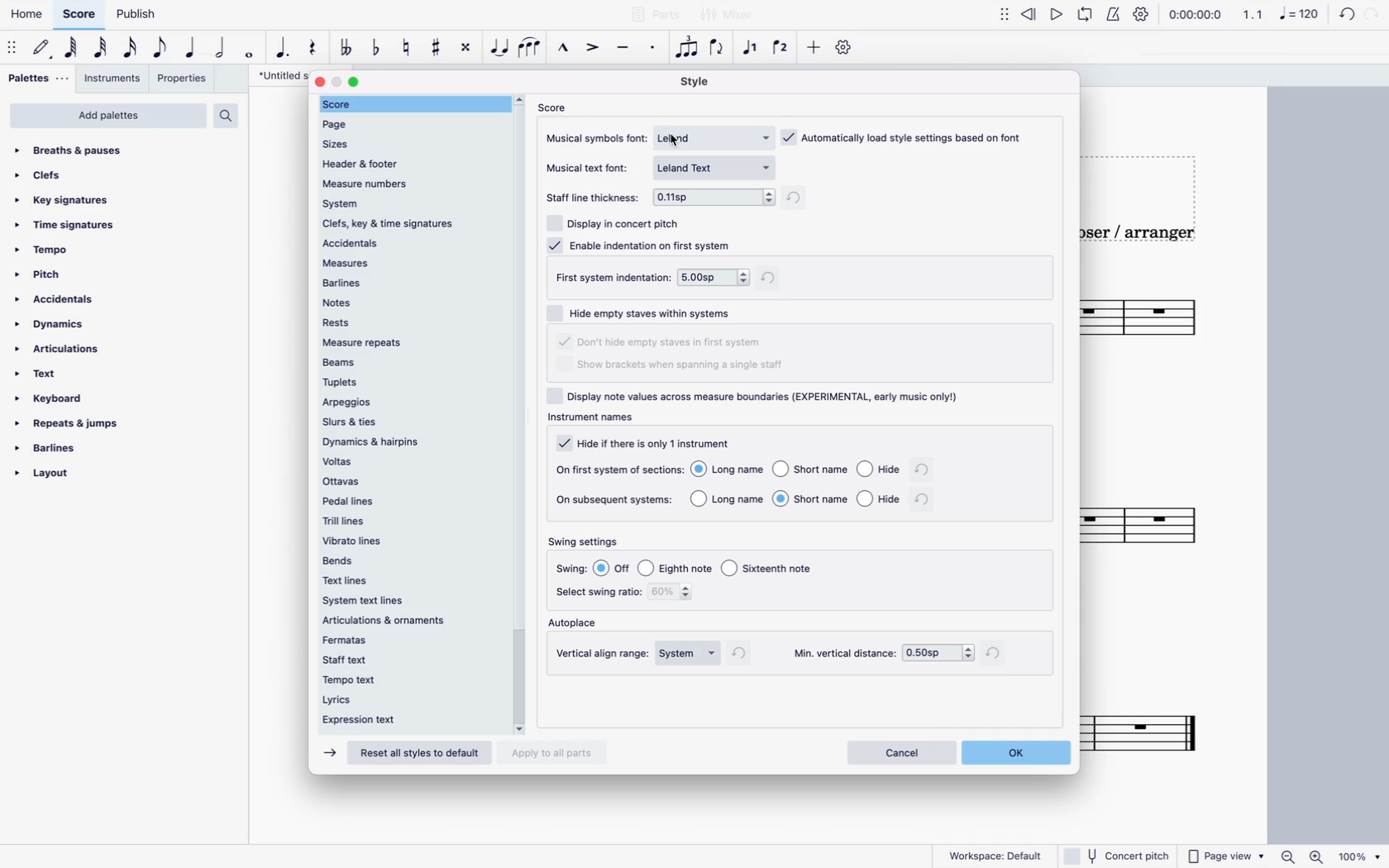 This screenshot has height=868, width=1389. I want to click on font, so click(716, 137).